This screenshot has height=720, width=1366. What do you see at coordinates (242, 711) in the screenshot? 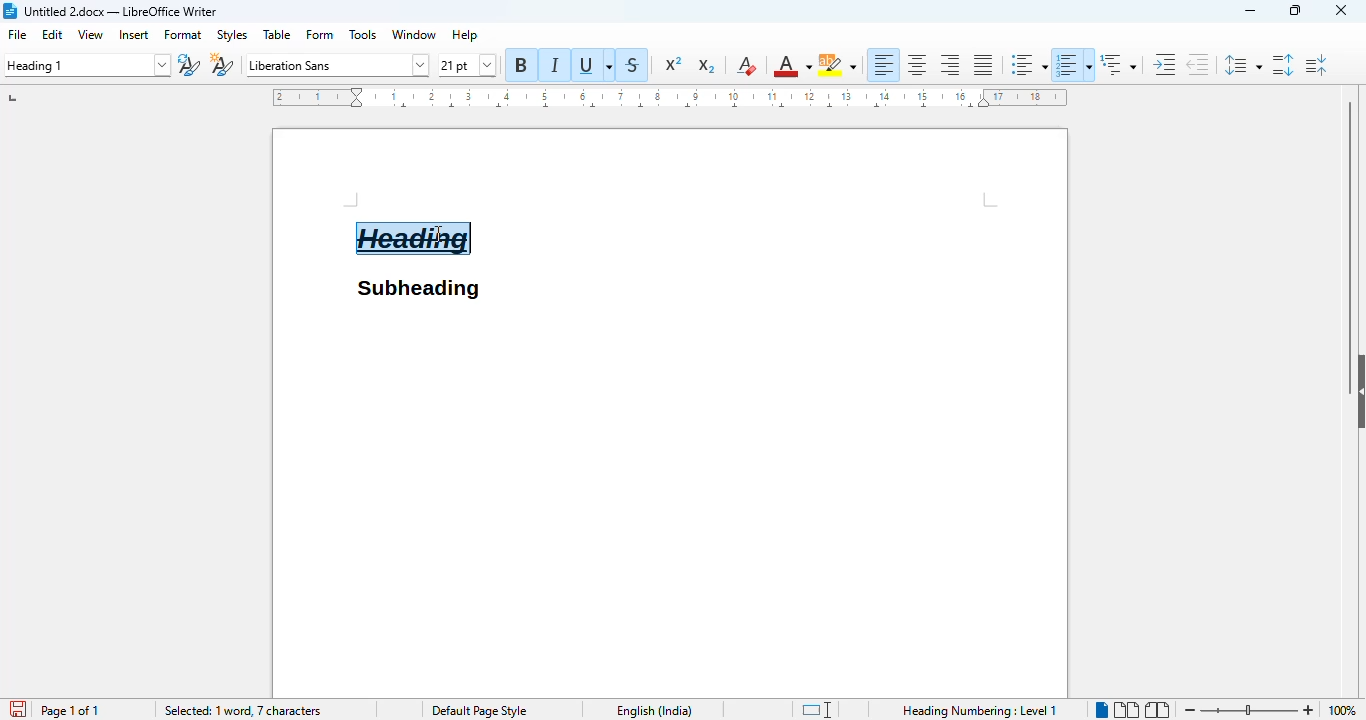
I see `selected: 1 word, 7 characters` at bounding box center [242, 711].